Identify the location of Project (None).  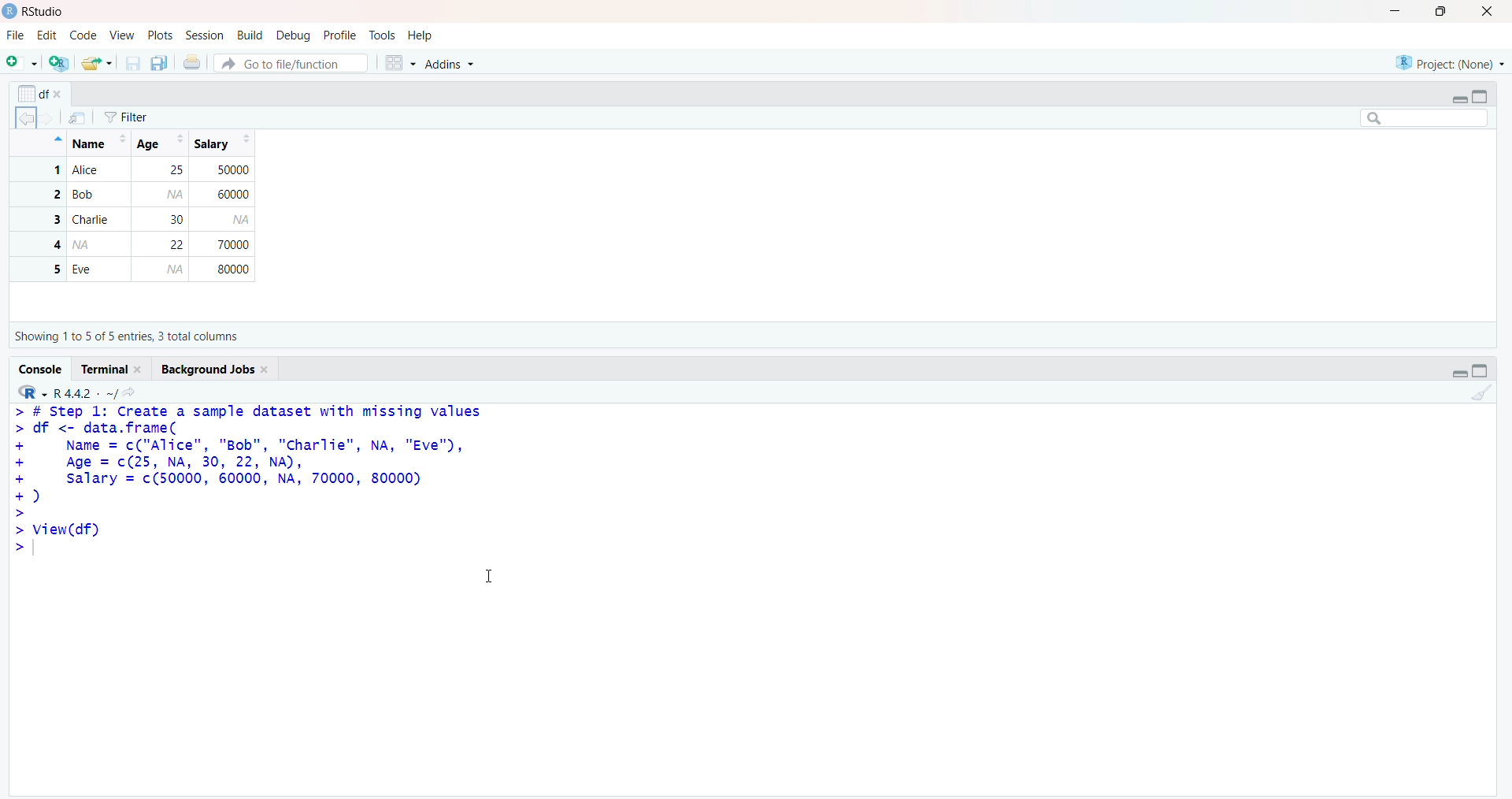
(1449, 62).